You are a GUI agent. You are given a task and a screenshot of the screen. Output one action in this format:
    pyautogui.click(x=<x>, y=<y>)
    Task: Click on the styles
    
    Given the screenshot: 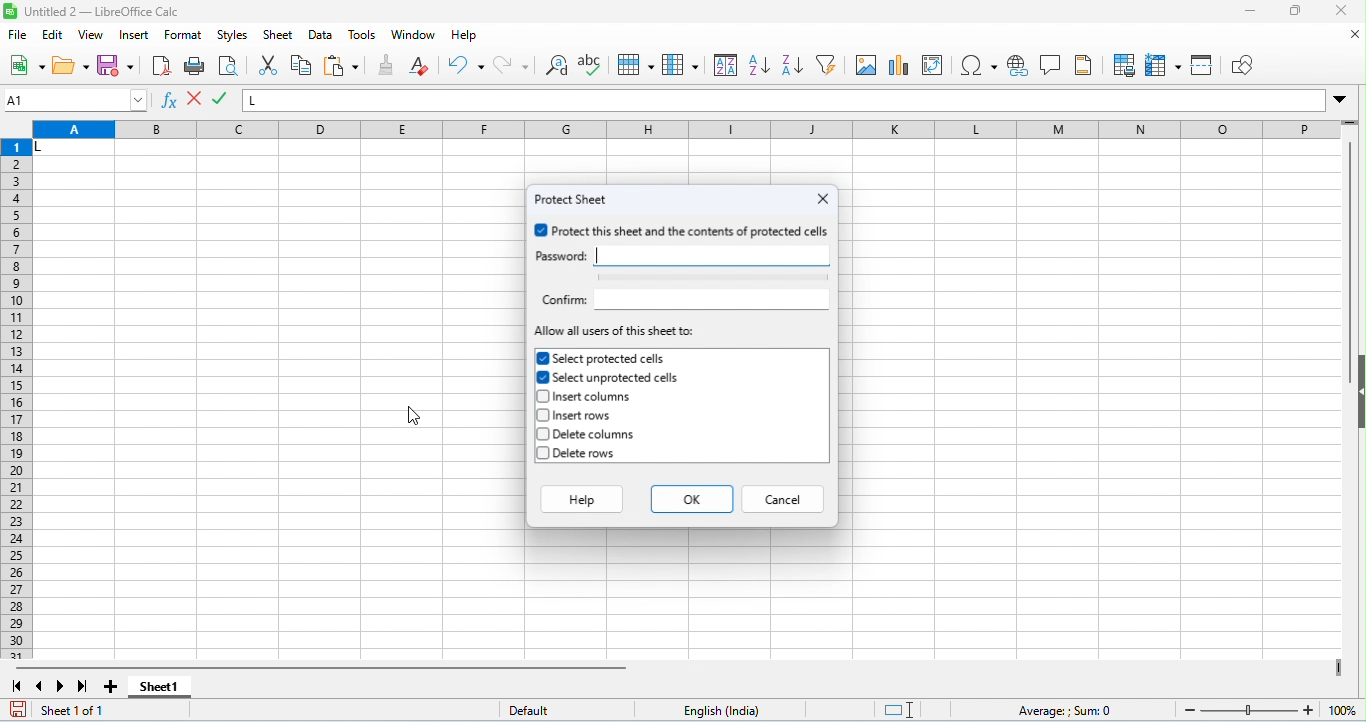 What is the action you would take?
    pyautogui.click(x=233, y=36)
    